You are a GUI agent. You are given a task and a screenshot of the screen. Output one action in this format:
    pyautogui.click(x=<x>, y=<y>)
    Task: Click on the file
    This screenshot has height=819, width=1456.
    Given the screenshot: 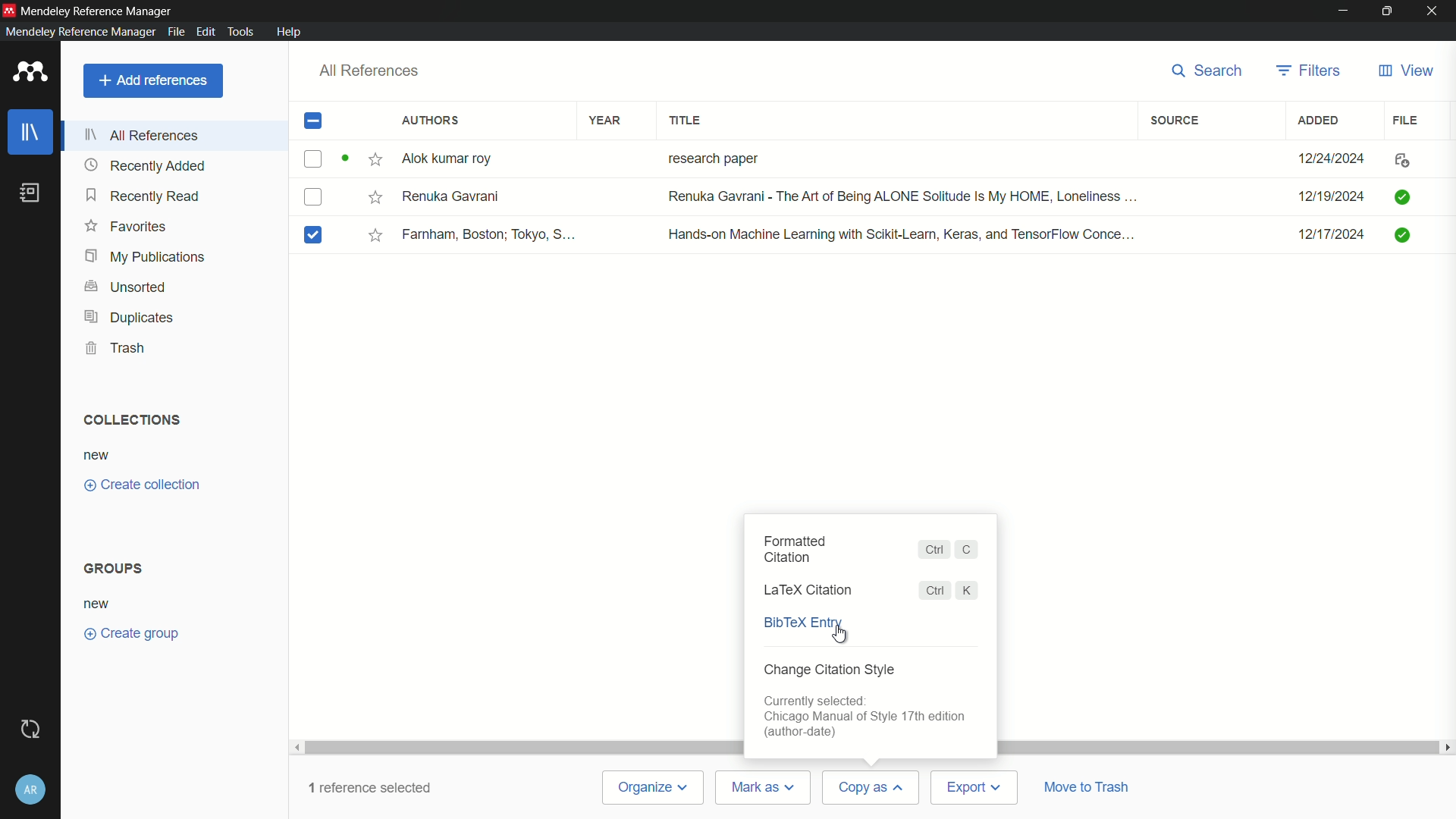 What is the action you would take?
    pyautogui.click(x=1407, y=120)
    